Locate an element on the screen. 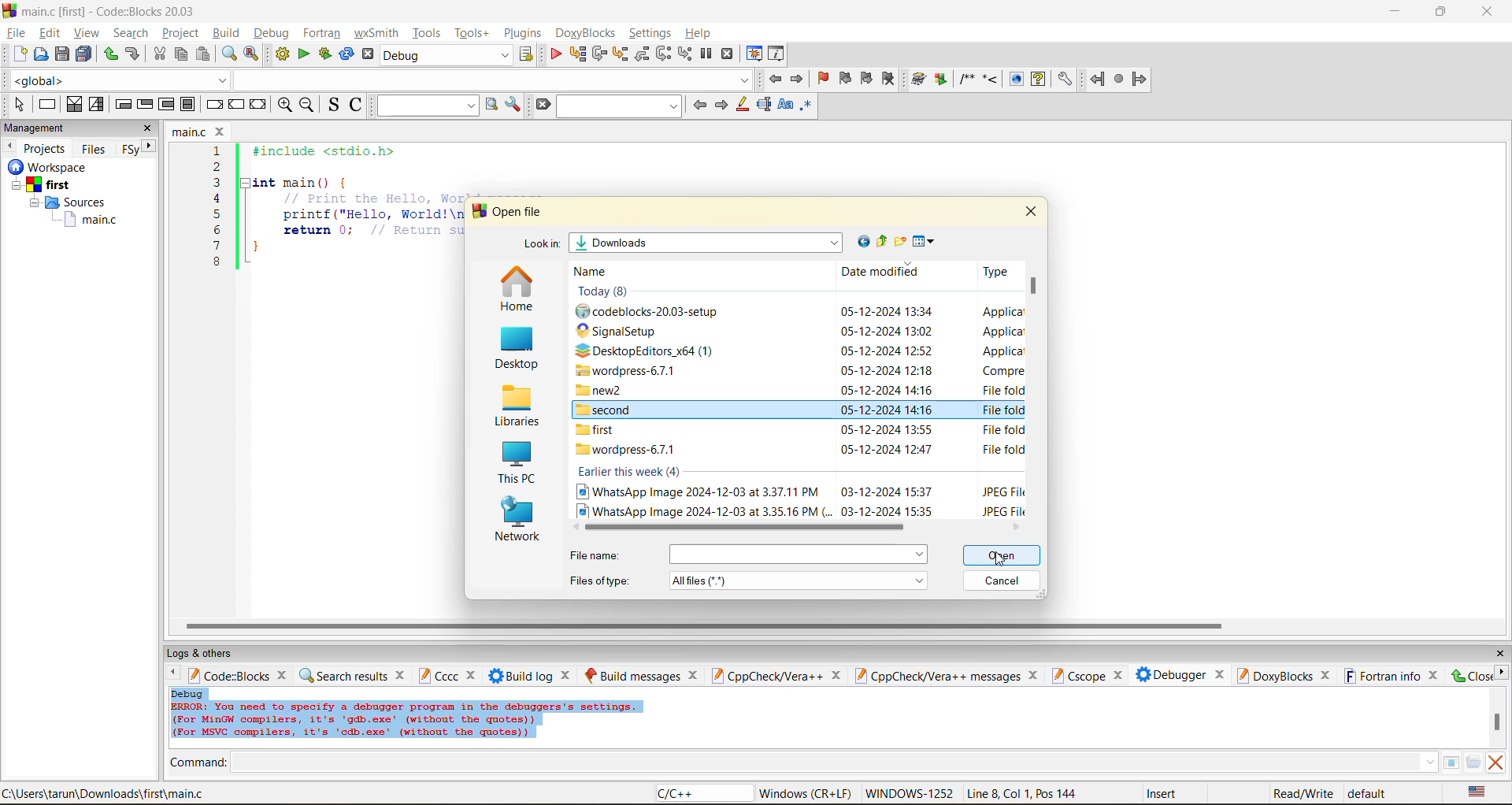 Image resolution: width=1512 pixels, height=805 pixels. close is located at coordinates (1435, 675).